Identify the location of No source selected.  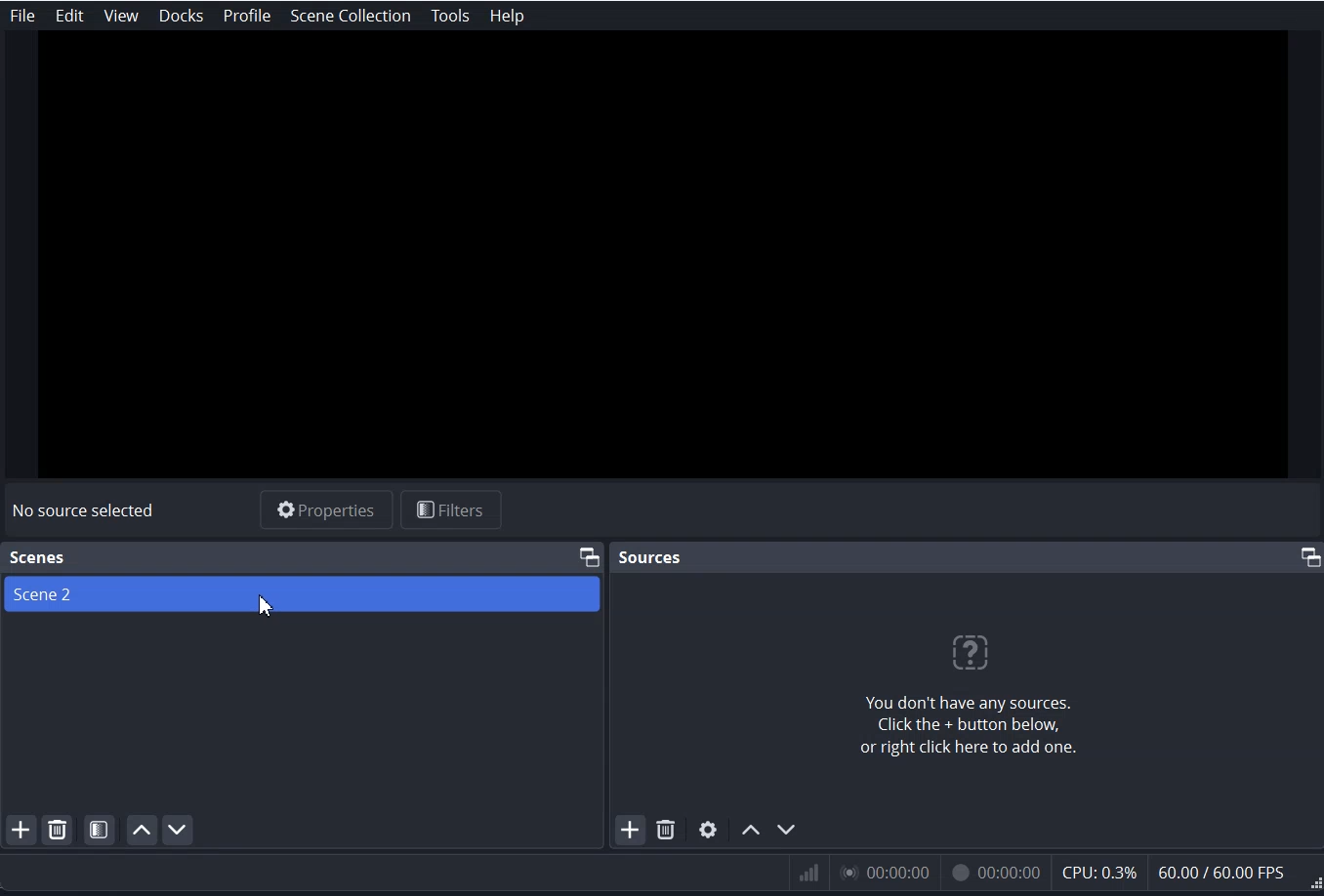
(84, 511).